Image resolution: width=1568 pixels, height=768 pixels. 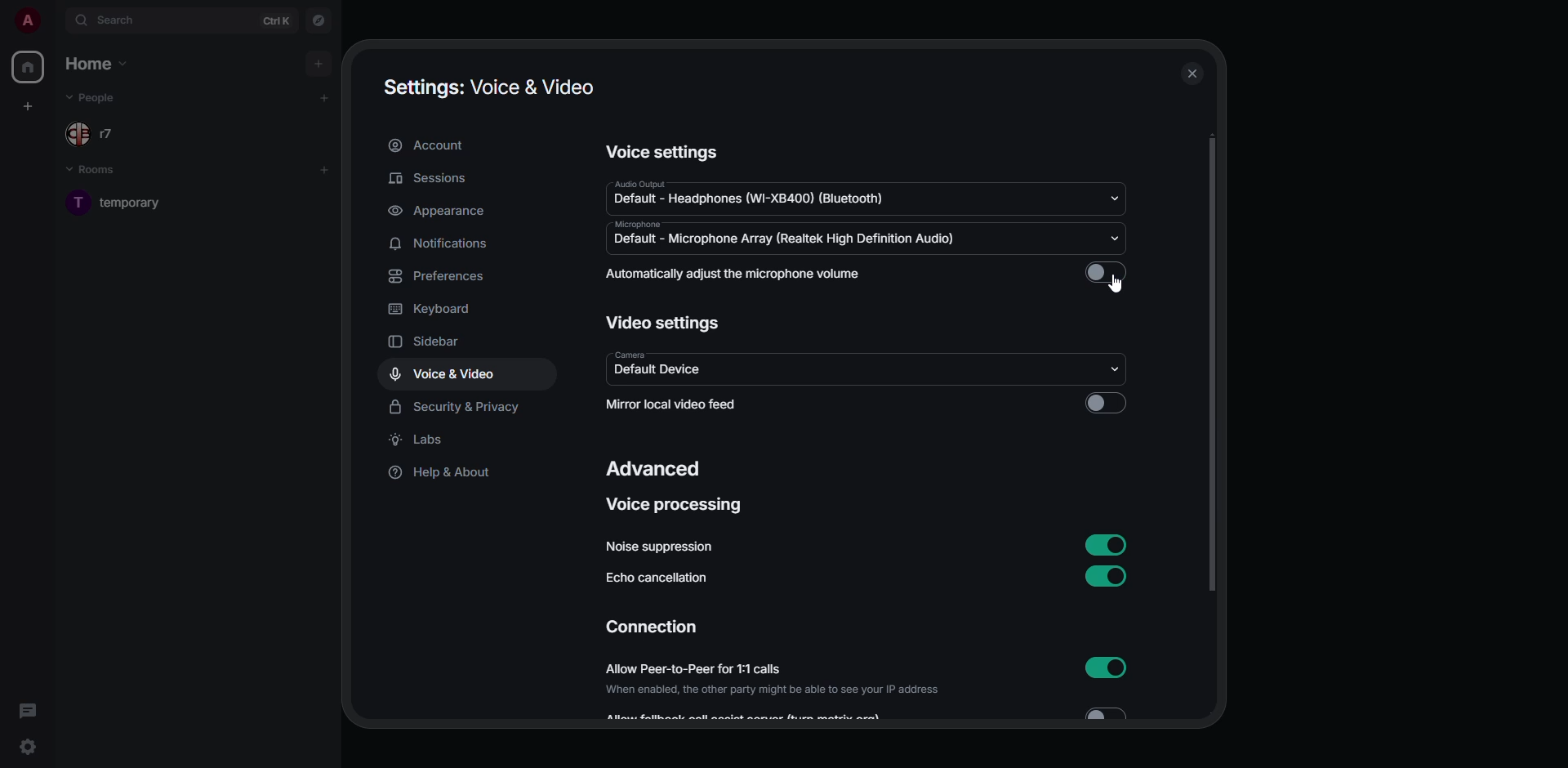 I want to click on When enabled, the other party might be able to see your IP address., so click(x=782, y=691).